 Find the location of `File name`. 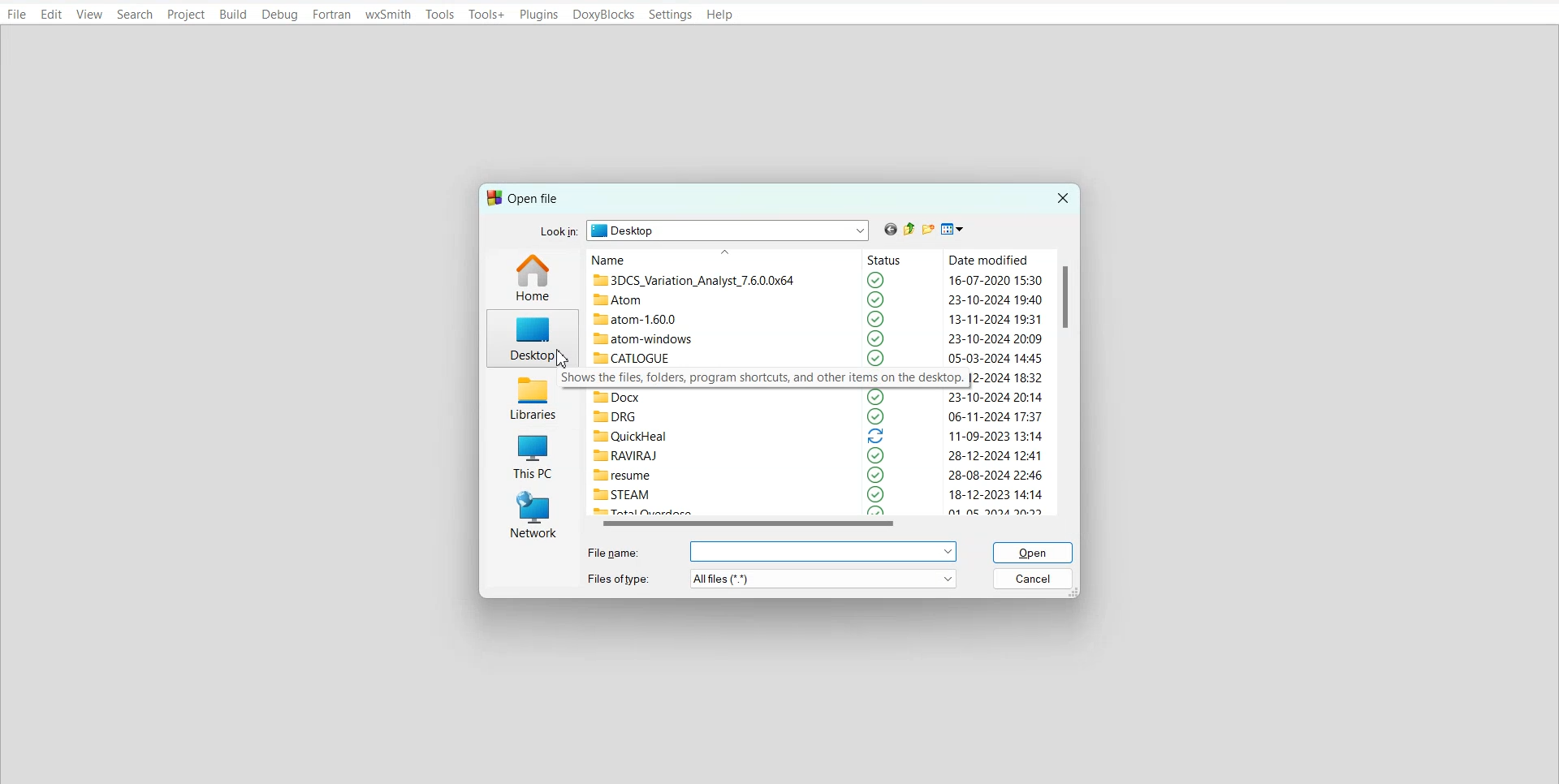

File name is located at coordinates (616, 551).